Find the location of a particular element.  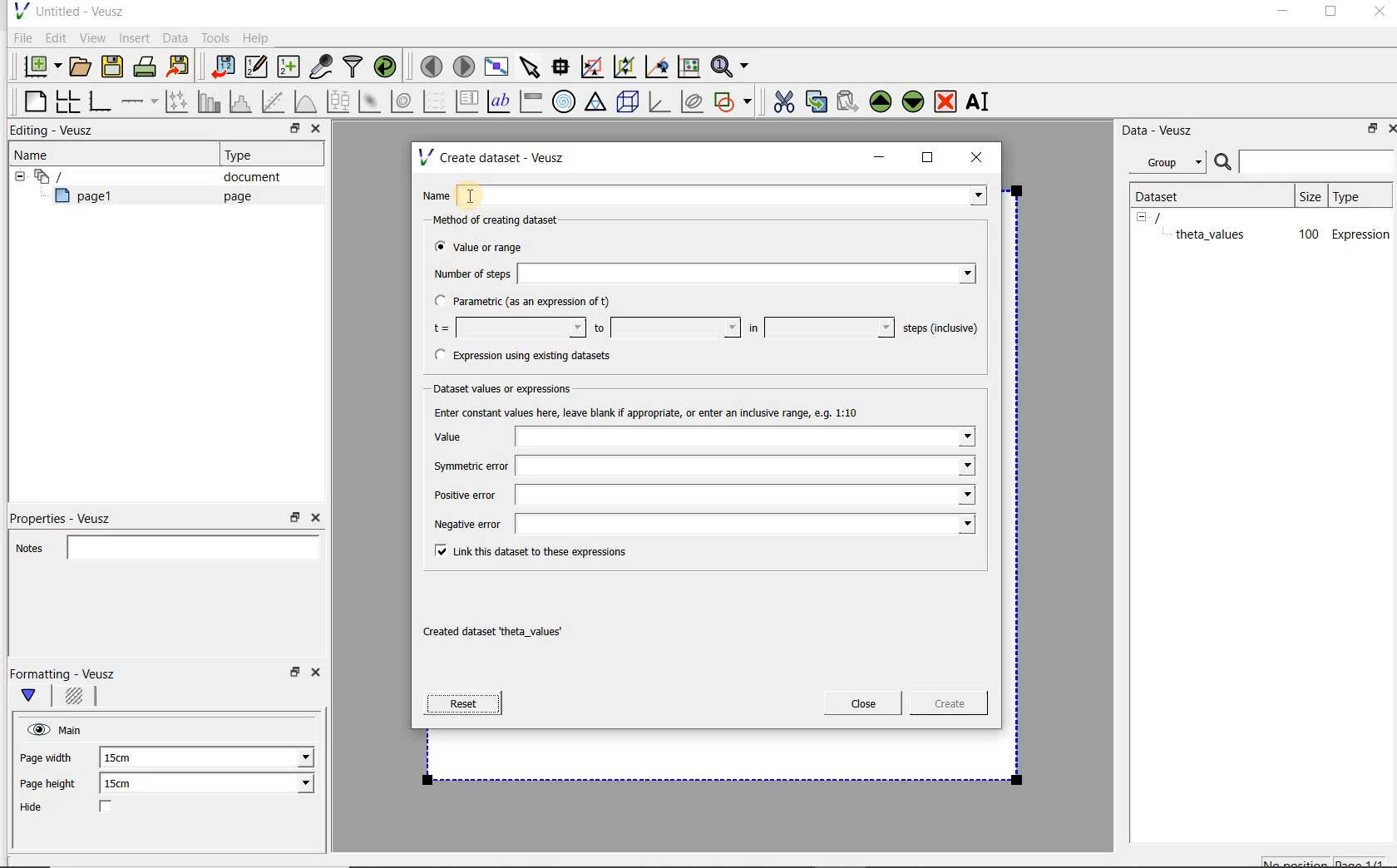

Close is located at coordinates (318, 675).